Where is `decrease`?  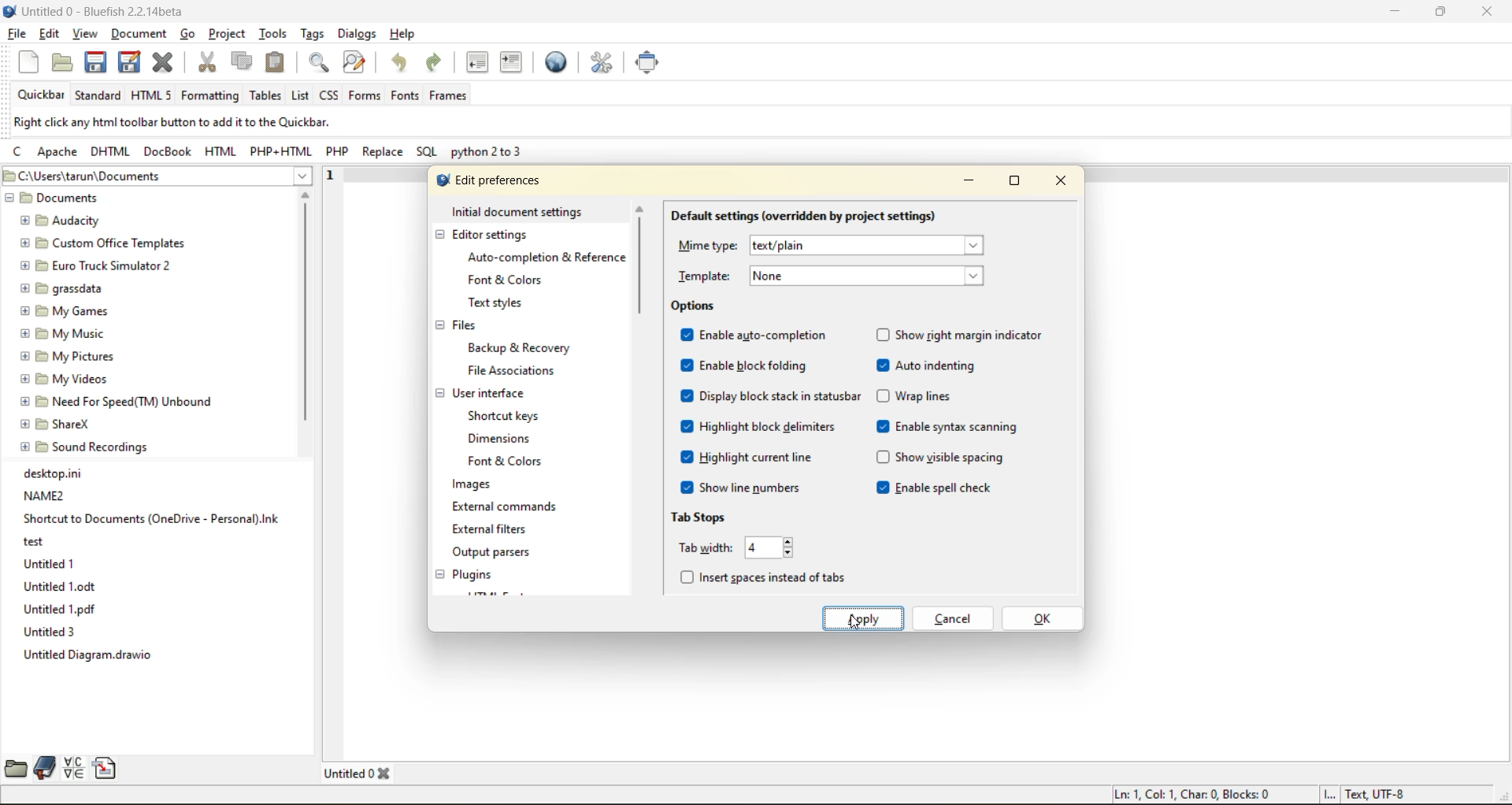
decrease is located at coordinates (791, 552).